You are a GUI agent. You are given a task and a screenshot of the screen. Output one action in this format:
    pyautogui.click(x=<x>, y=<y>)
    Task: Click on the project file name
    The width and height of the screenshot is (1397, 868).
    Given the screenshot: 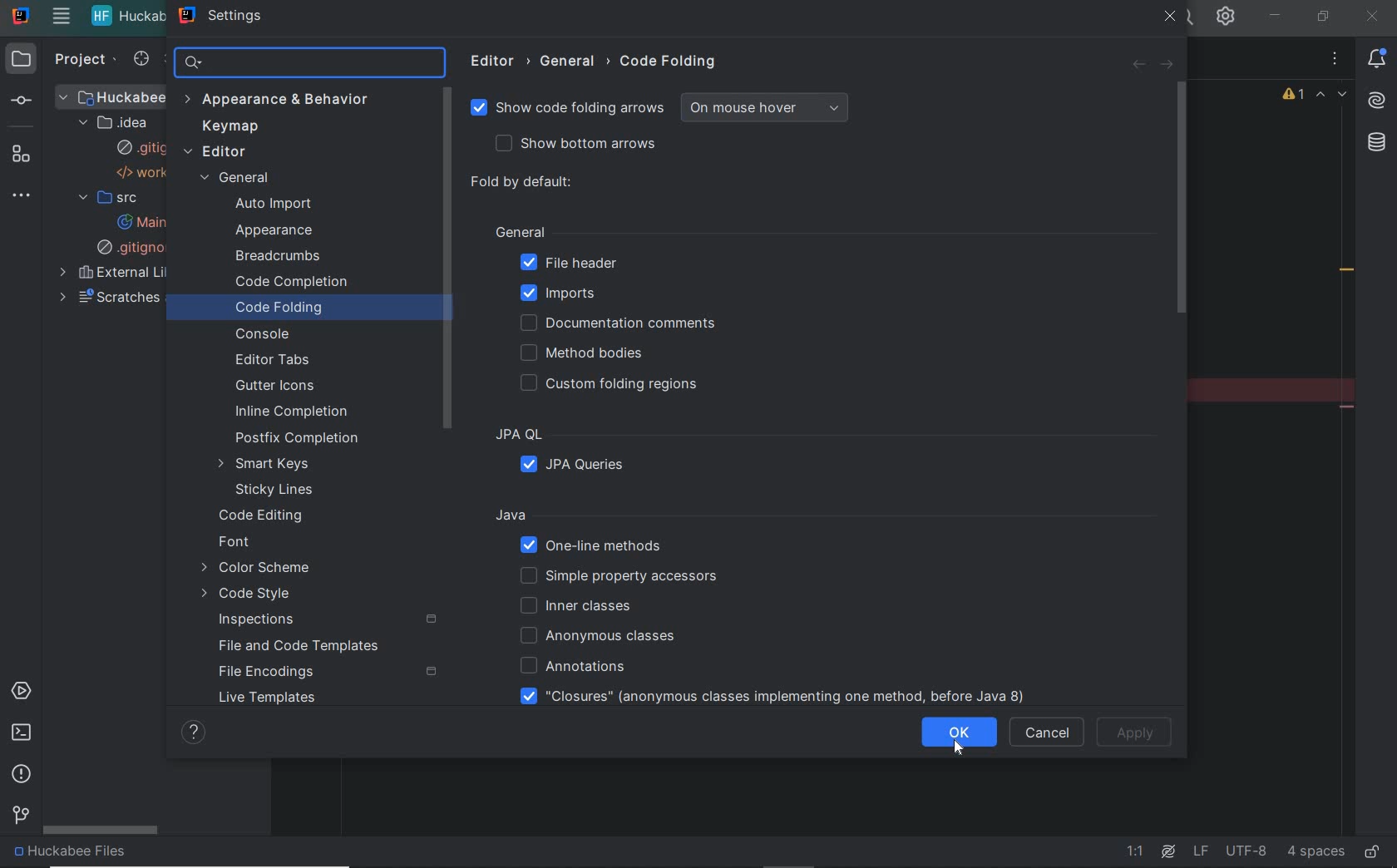 What is the action you would take?
    pyautogui.click(x=121, y=96)
    